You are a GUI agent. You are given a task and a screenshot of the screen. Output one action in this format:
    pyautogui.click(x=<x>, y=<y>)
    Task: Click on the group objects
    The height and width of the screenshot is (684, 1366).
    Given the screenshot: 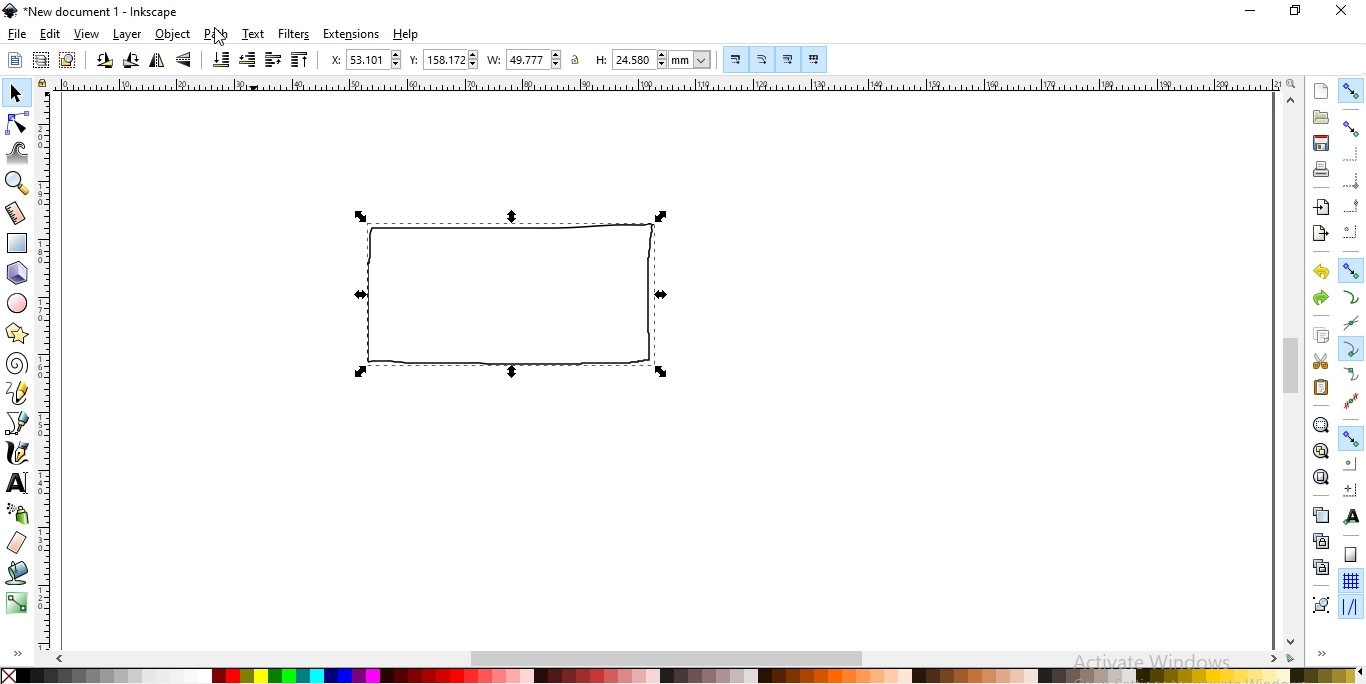 What is the action you would take?
    pyautogui.click(x=1321, y=604)
    